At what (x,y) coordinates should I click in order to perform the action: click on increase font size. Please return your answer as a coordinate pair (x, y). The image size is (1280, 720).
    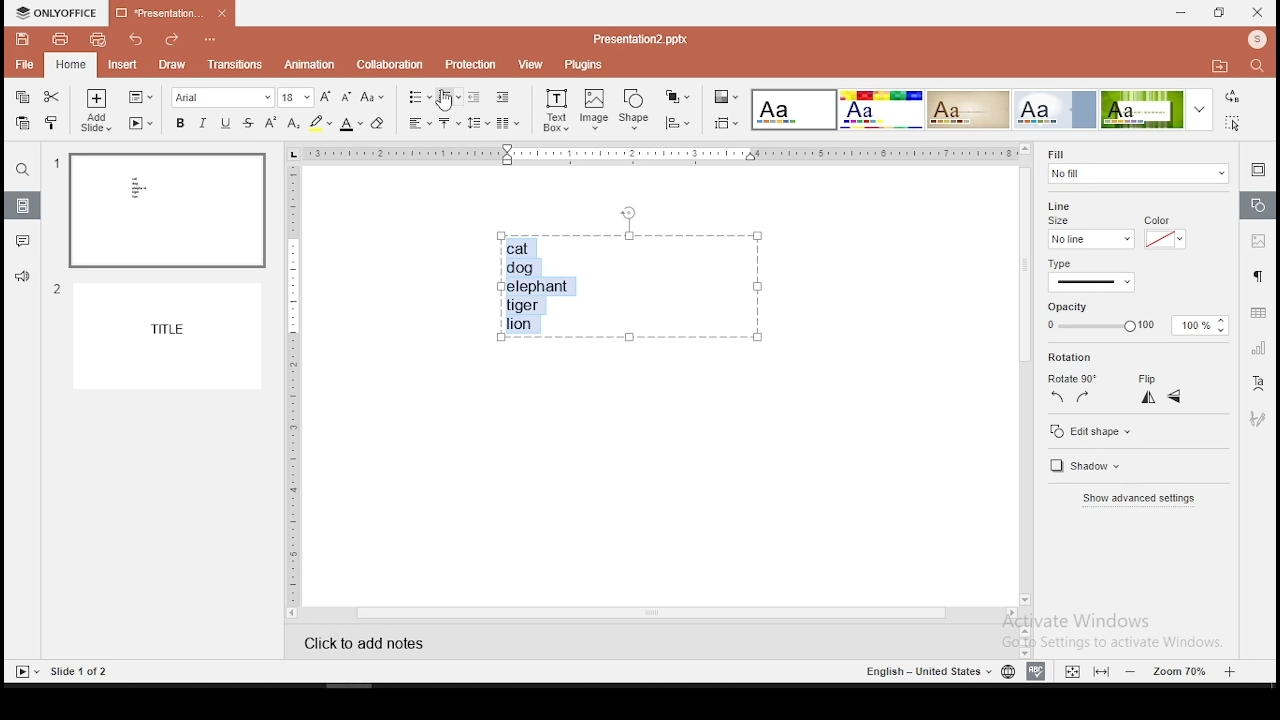
    Looking at the image, I should click on (328, 97).